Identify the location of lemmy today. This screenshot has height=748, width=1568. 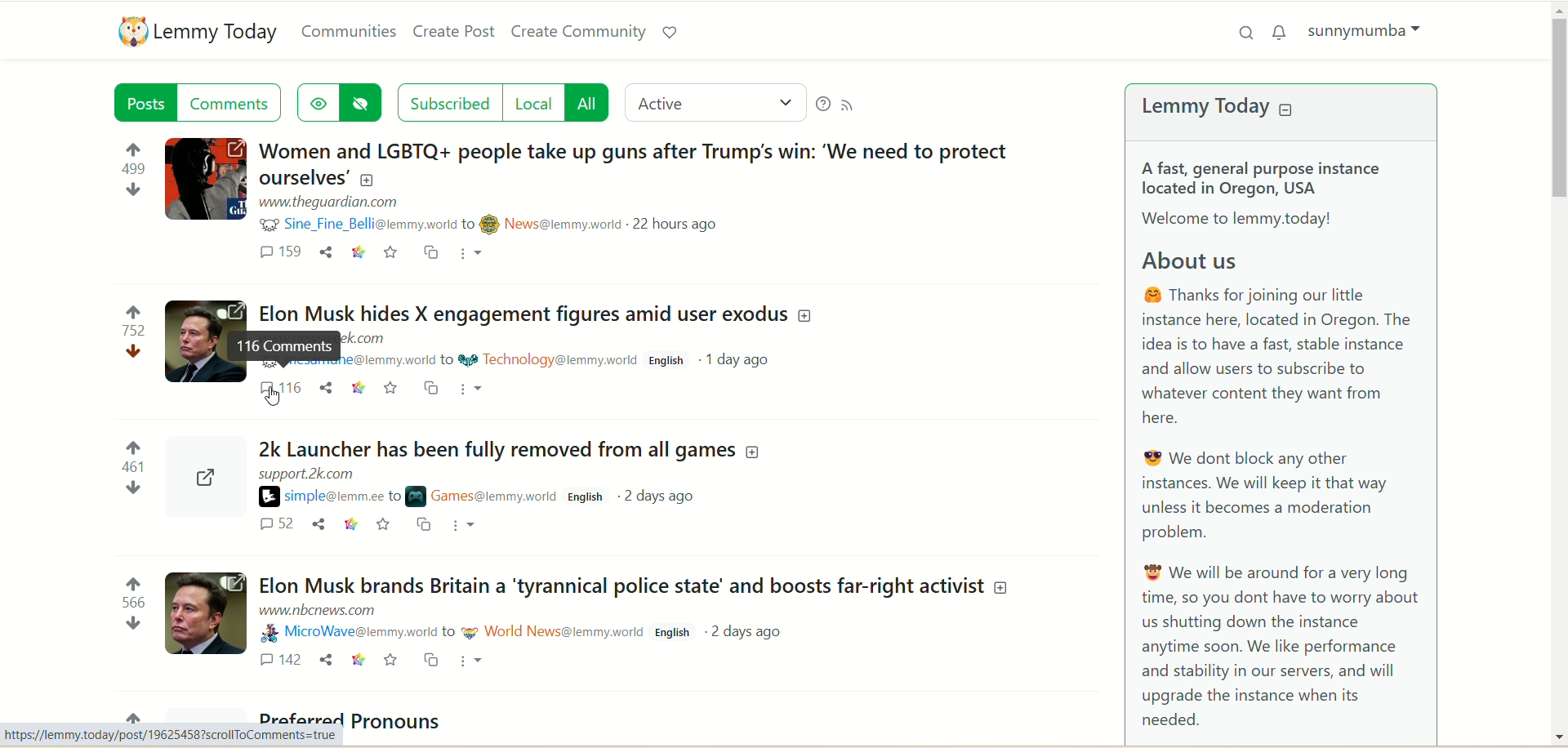
(1206, 106).